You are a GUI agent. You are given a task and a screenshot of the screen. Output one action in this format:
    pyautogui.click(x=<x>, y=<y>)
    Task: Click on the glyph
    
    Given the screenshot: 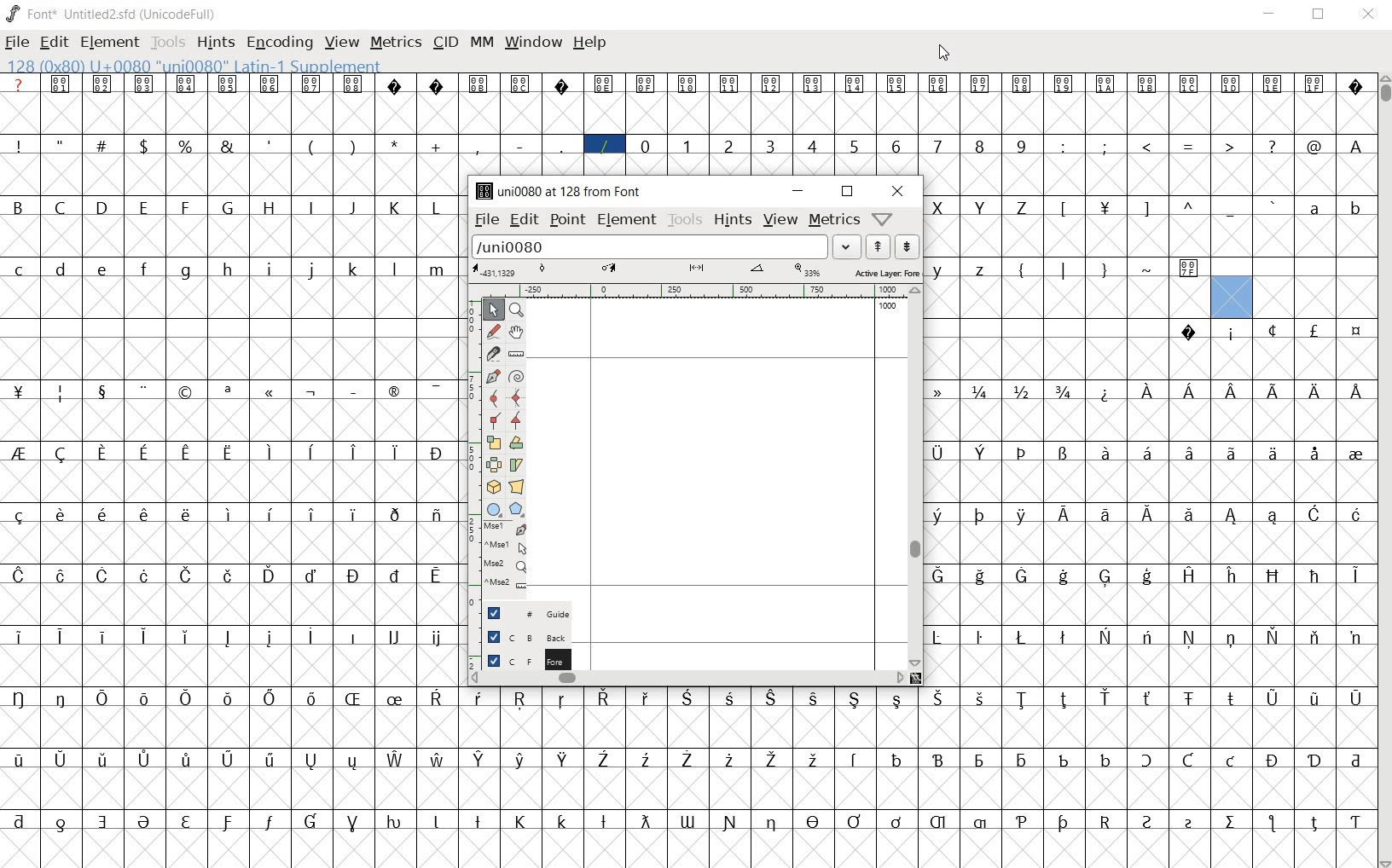 What is the action you would take?
    pyautogui.click(x=270, y=760)
    